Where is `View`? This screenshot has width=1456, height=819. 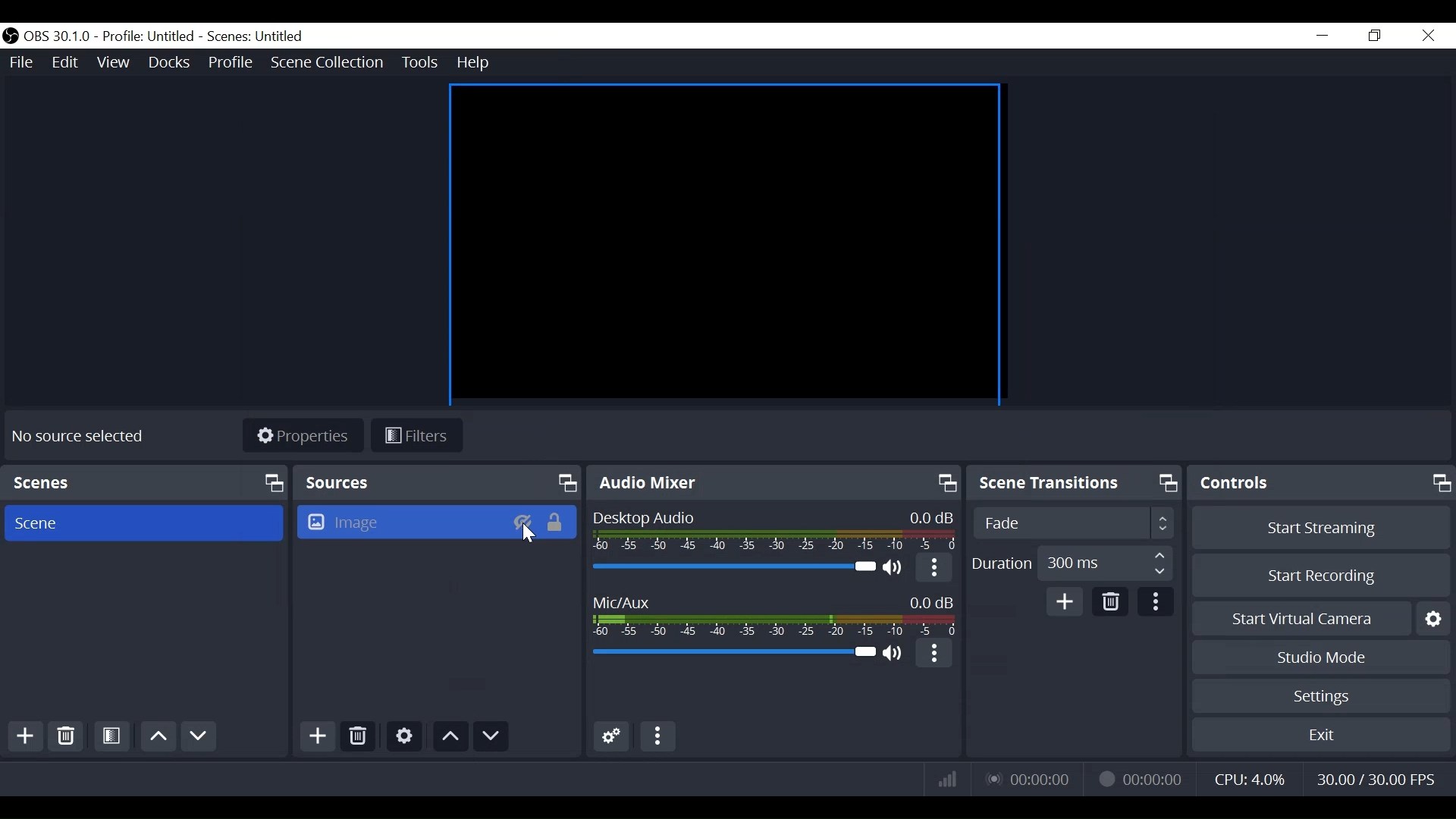
View is located at coordinates (111, 60).